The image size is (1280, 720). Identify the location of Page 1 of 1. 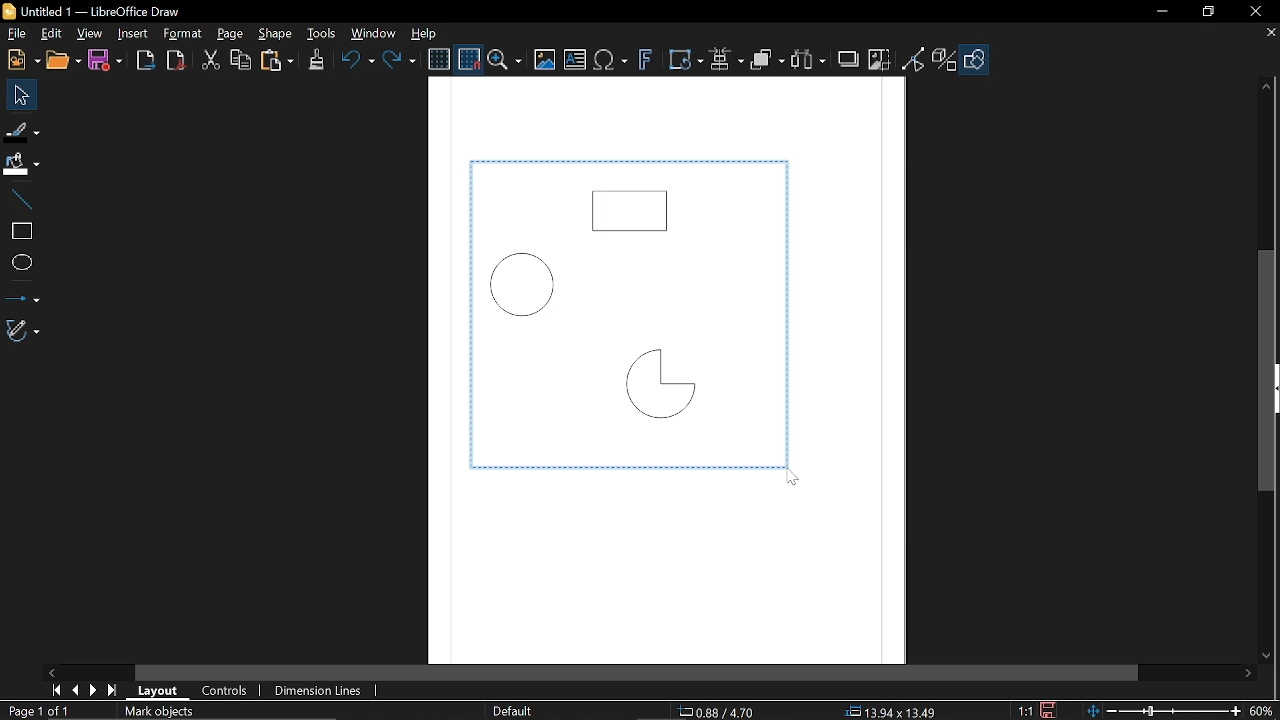
(38, 711).